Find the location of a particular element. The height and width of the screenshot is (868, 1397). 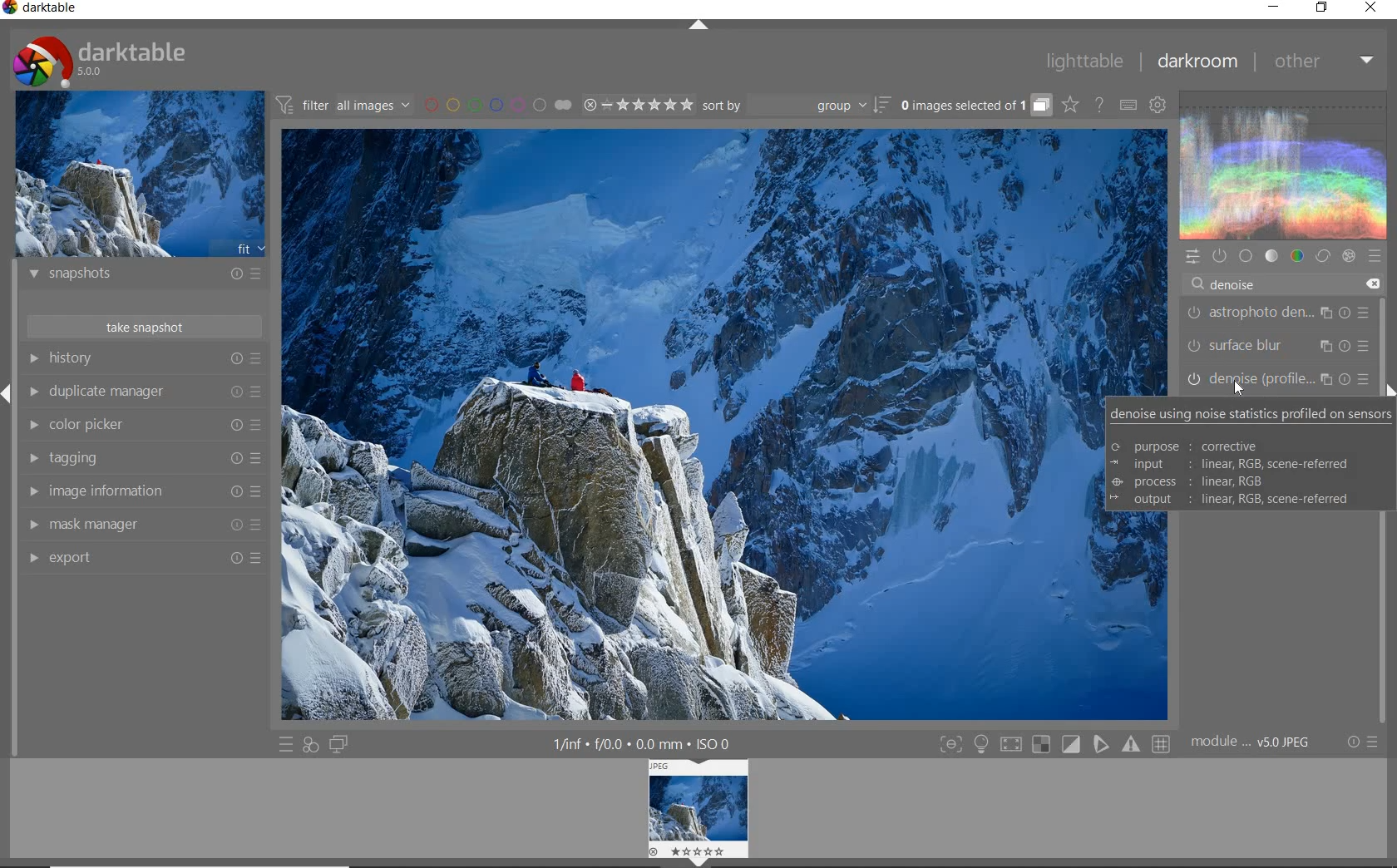

range ratings for selected images is located at coordinates (639, 105).